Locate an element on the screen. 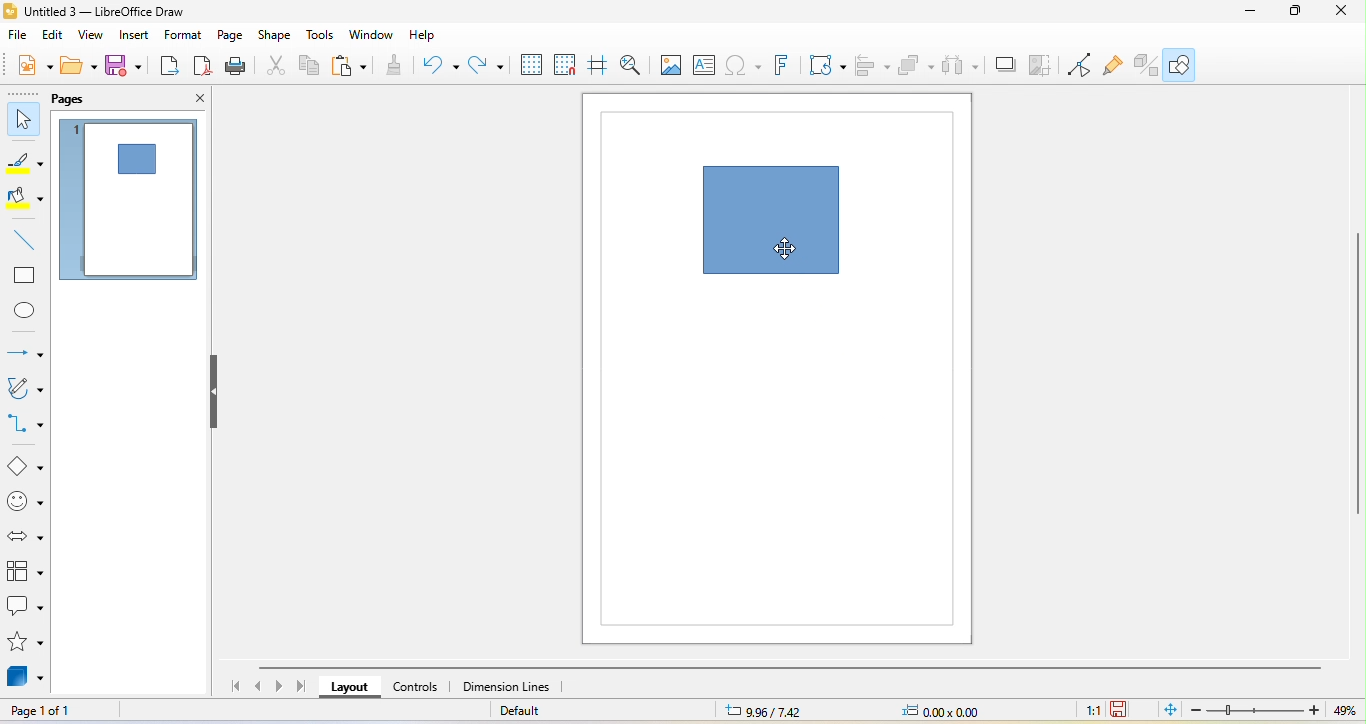  basic shape is located at coordinates (24, 464).